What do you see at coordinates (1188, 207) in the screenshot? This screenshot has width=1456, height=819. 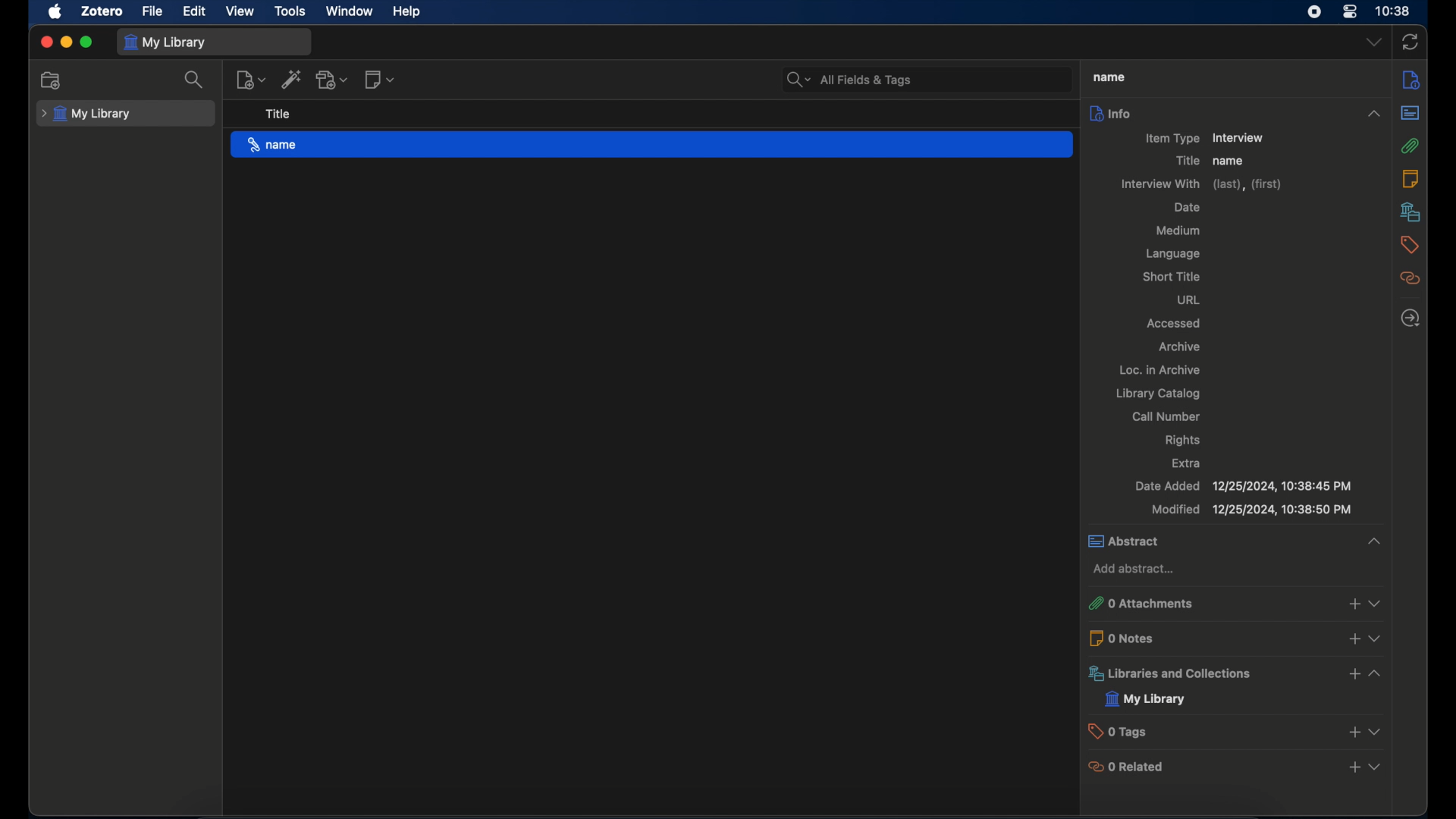 I see `date` at bounding box center [1188, 207].